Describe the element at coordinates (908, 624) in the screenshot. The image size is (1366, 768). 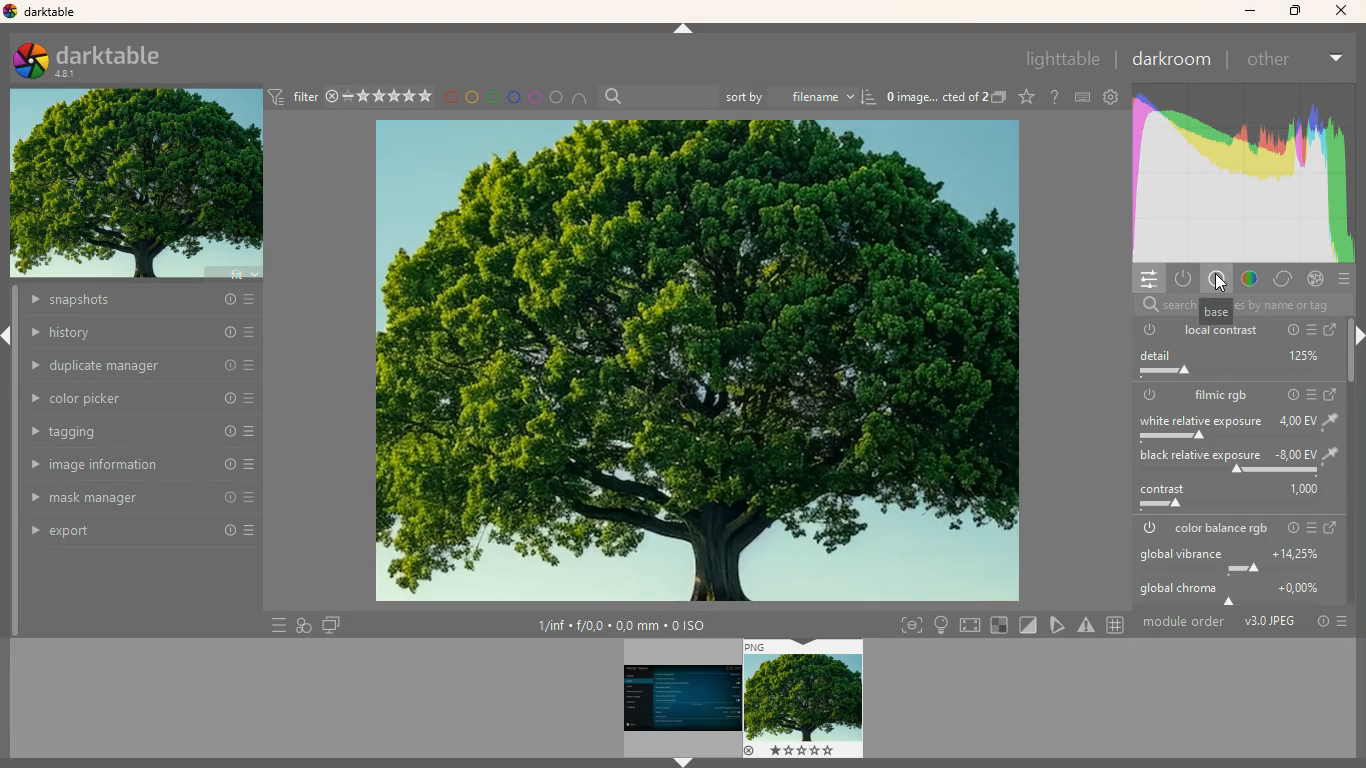
I see `frame` at that location.